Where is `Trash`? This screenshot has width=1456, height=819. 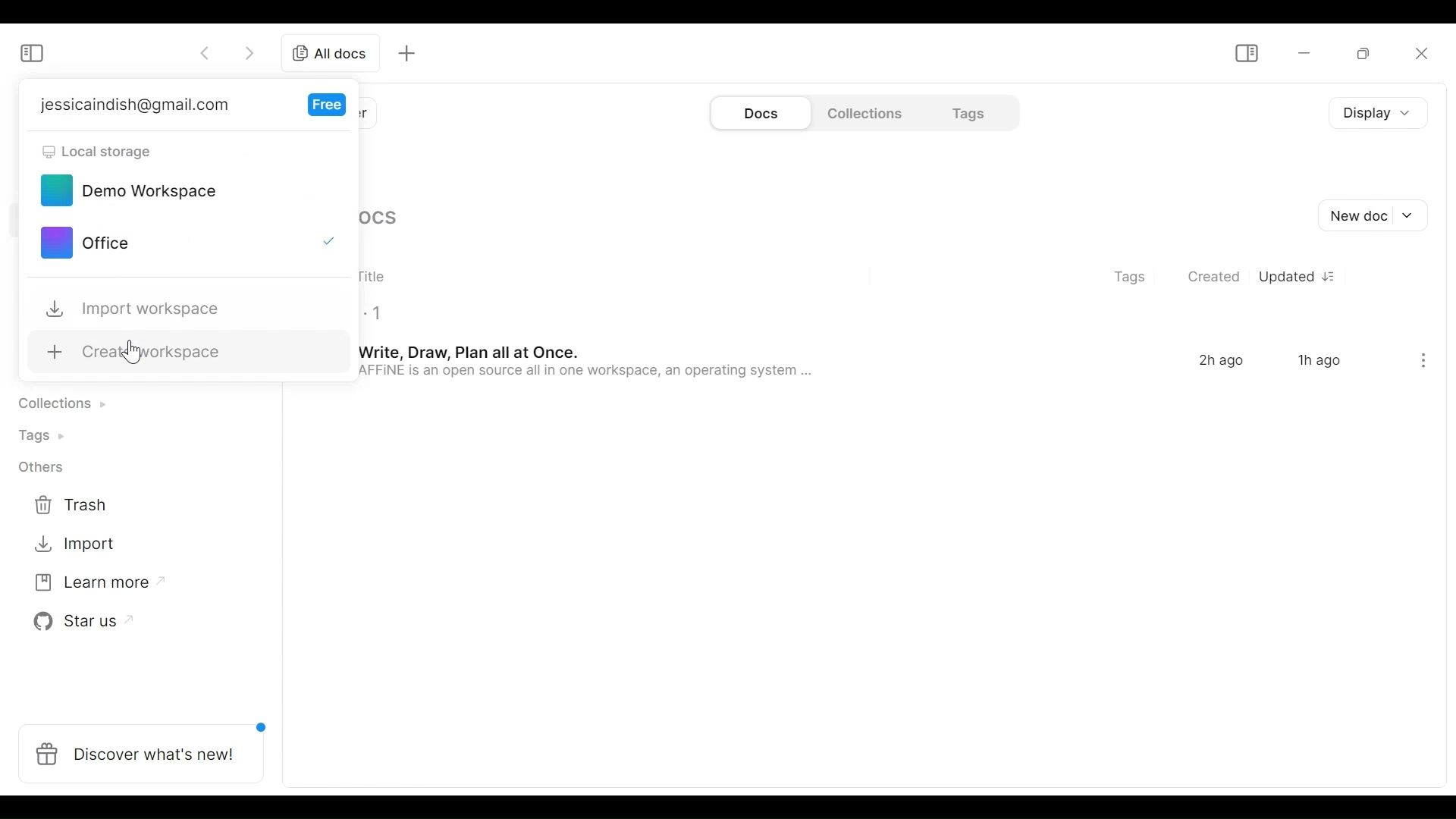 Trash is located at coordinates (67, 507).